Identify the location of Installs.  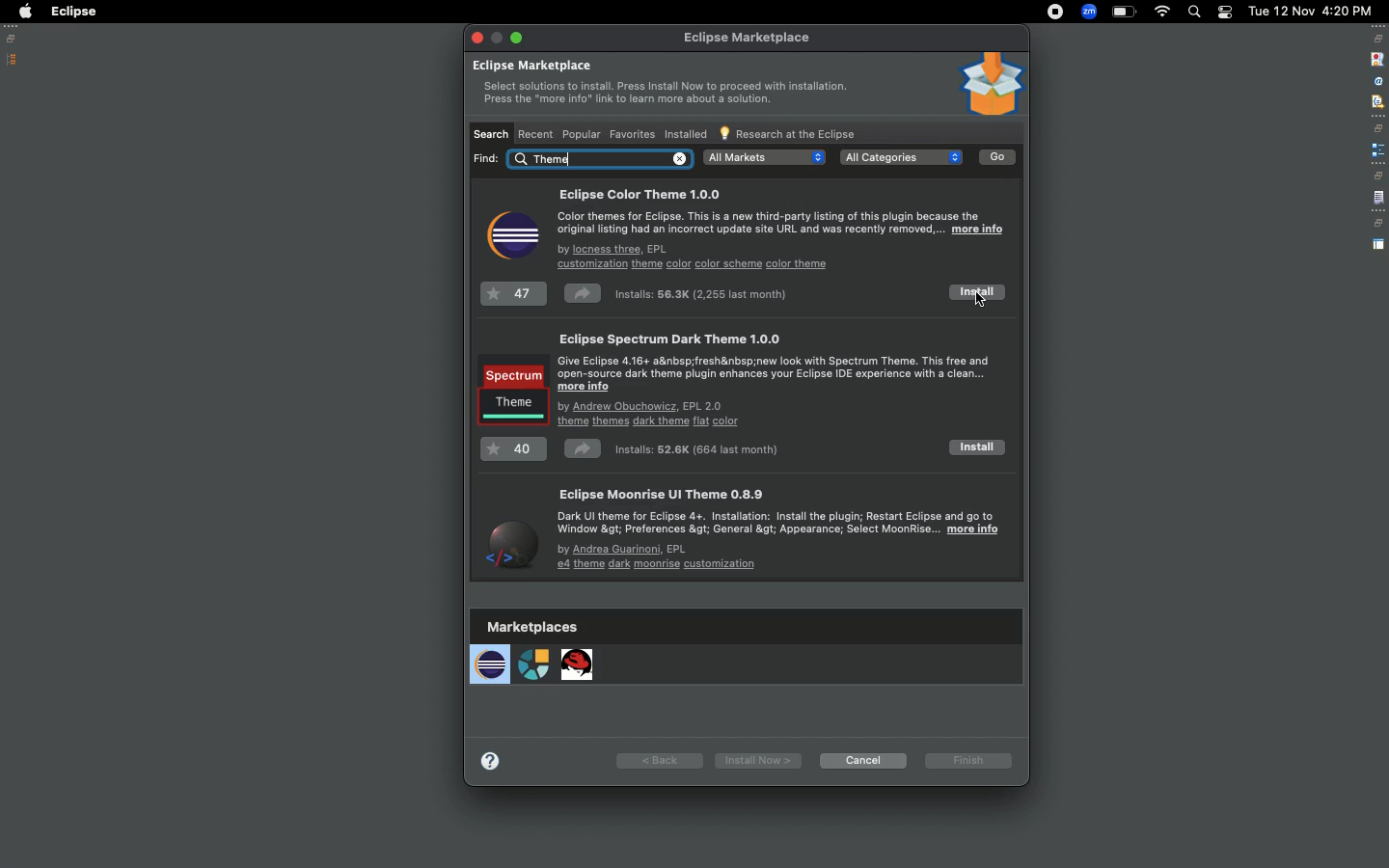
(633, 296).